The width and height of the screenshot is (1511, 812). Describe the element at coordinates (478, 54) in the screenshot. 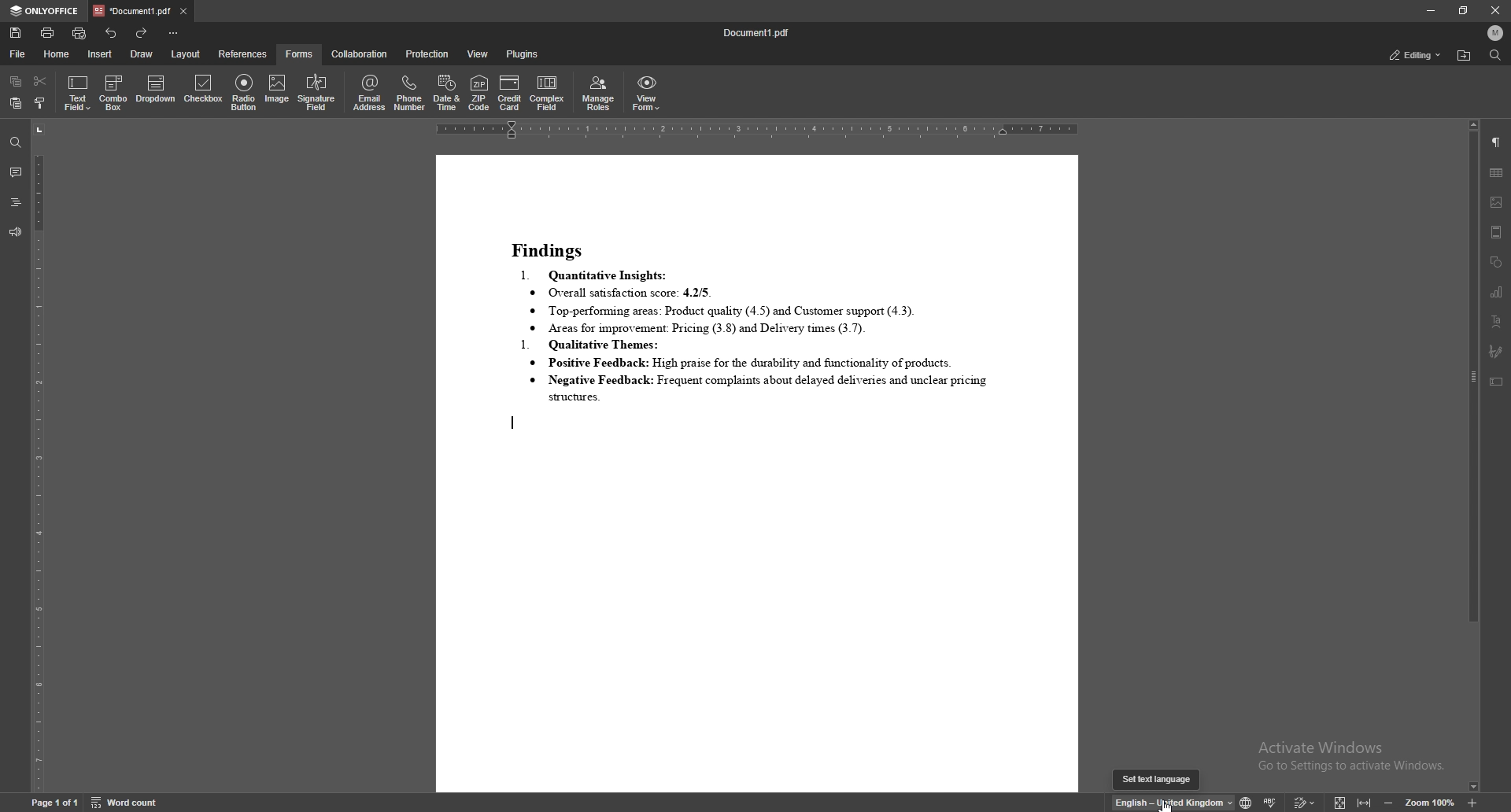

I see `view` at that location.